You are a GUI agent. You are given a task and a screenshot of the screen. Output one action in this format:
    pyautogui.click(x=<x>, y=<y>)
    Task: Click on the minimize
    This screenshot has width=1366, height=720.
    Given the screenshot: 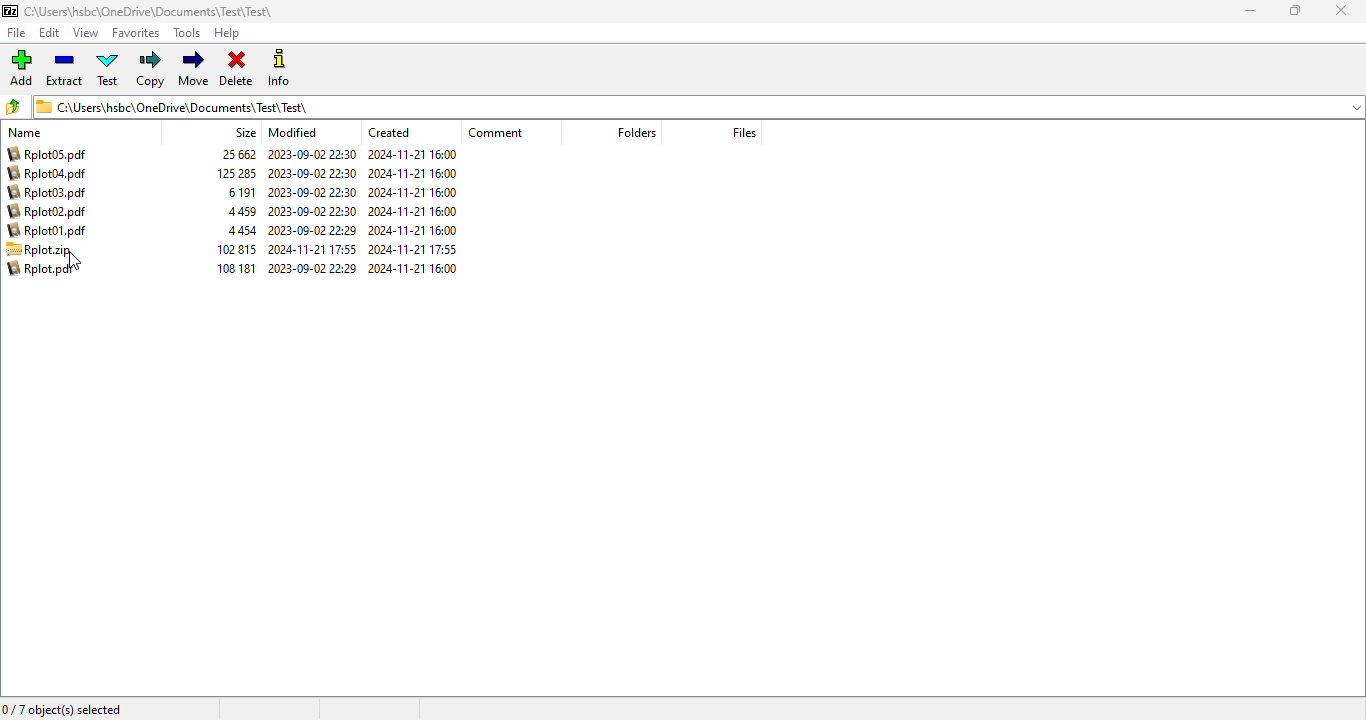 What is the action you would take?
    pyautogui.click(x=1250, y=10)
    